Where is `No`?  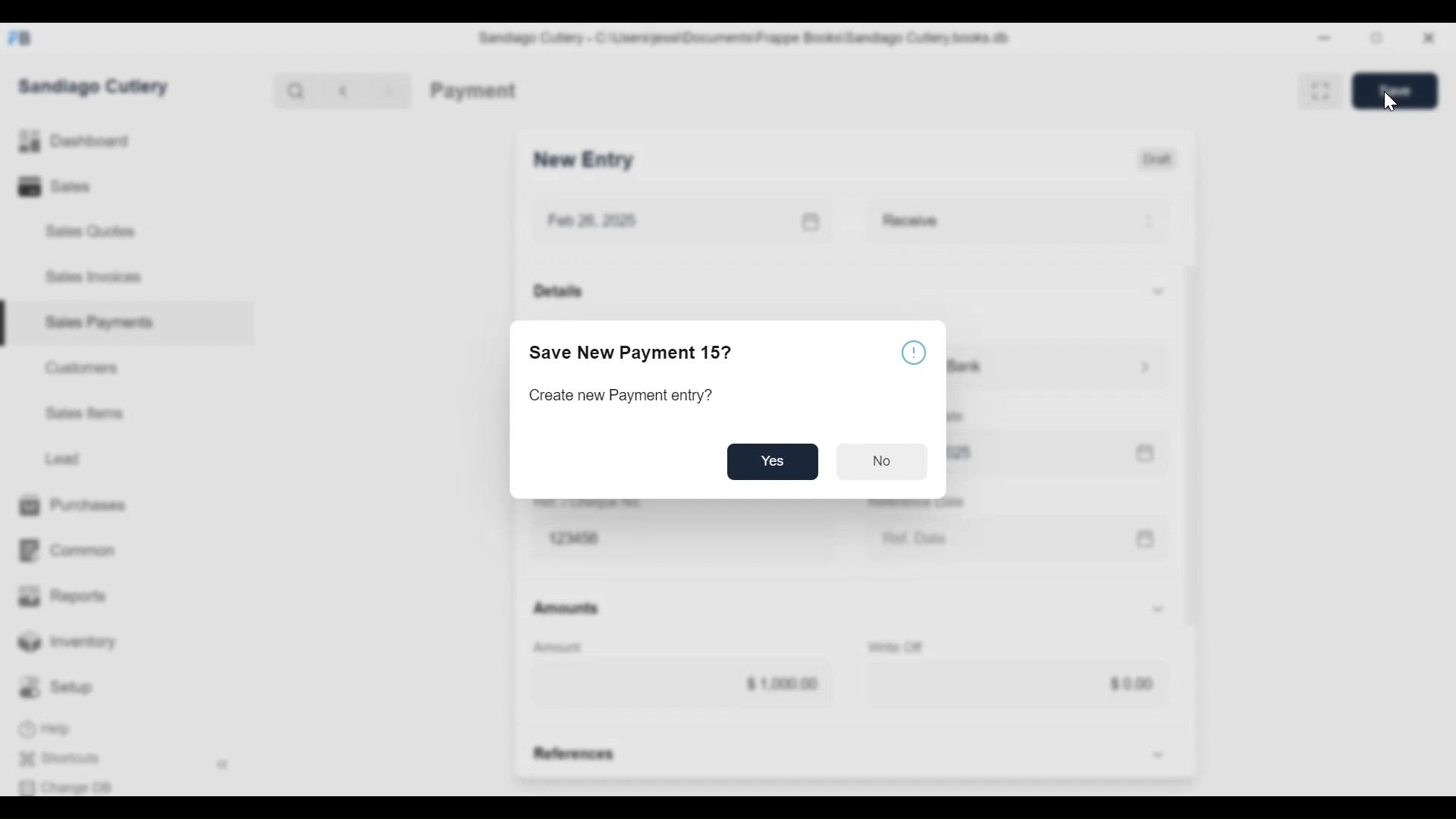 No is located at coordinates (880, 463).